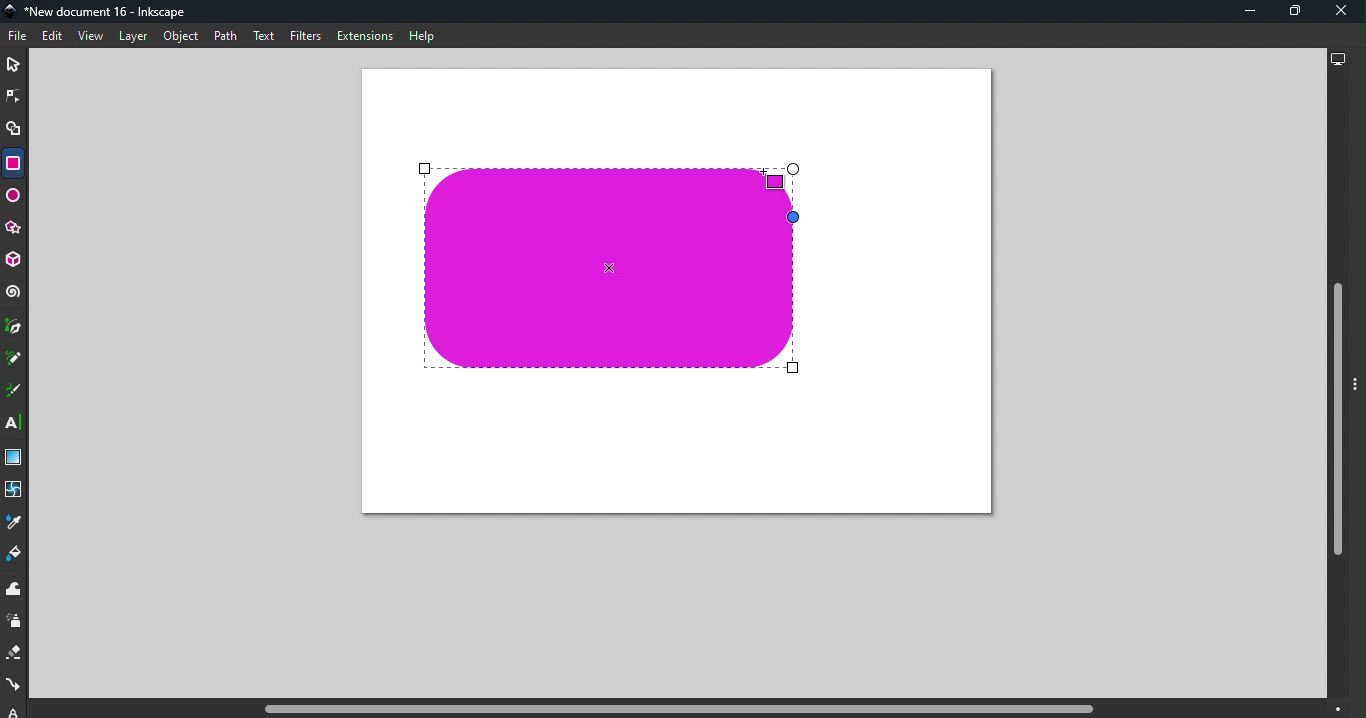 The height and width of the screenshot is (718, 1366). I want to click on Minimize, so click(1247, 11).